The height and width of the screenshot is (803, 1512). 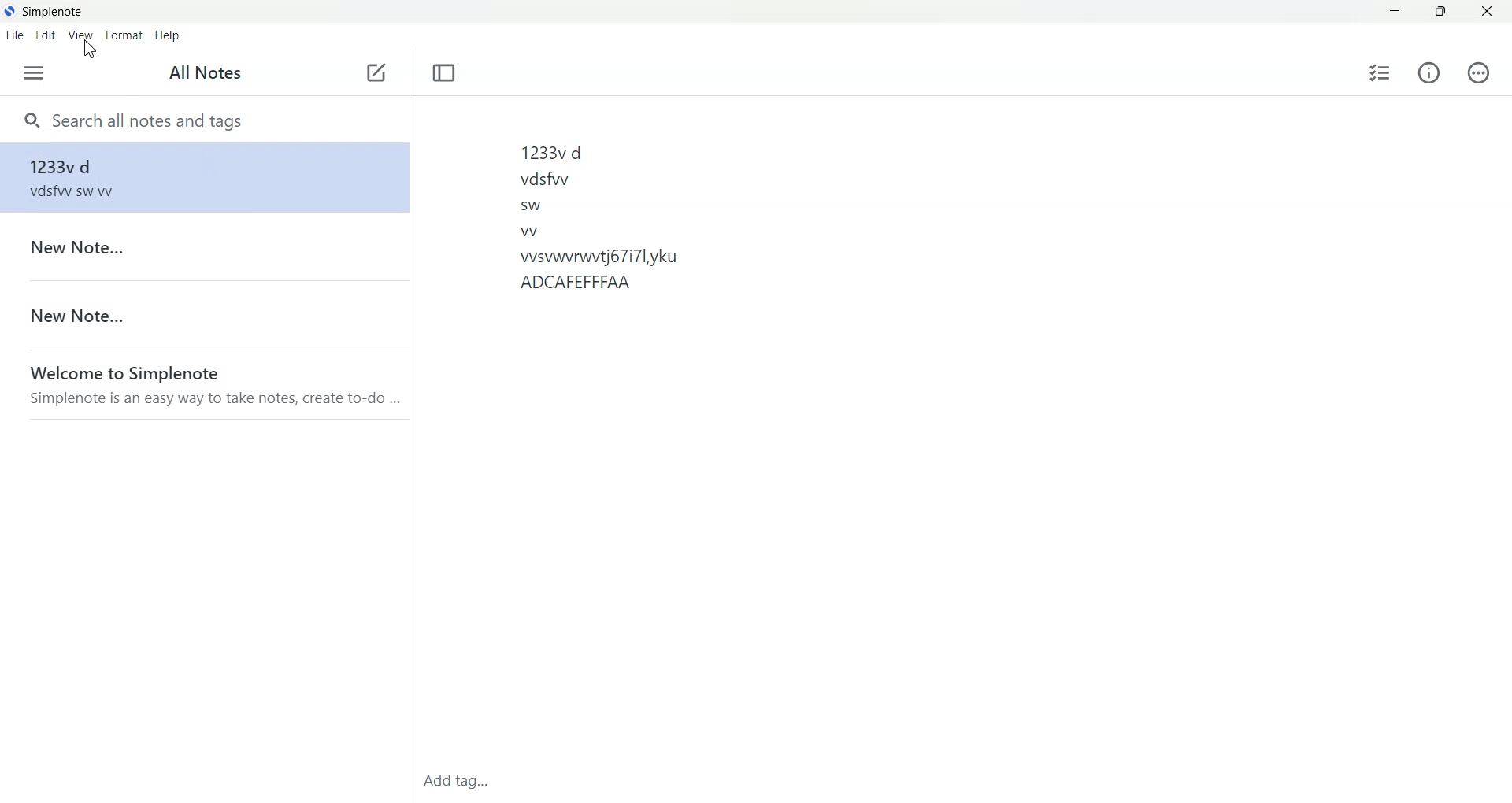 What do you see at coordinates (464, 781) in the screenshot?
I see `Add Tag` at bounding box center [464, 781].